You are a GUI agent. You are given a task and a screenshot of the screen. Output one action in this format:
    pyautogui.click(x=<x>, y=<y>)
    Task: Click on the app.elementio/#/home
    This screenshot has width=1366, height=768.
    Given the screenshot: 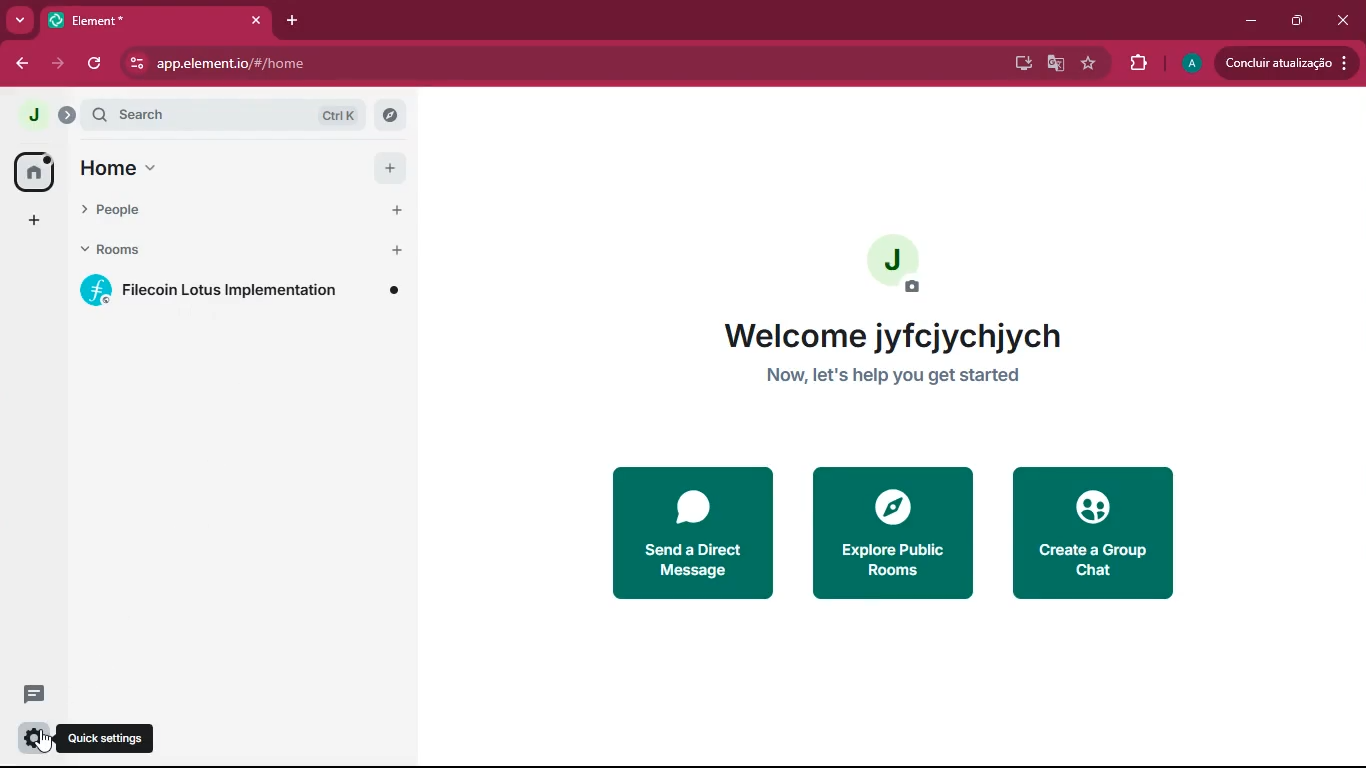 What is the action you would take?
    pyautogui.click(x=371, y=63)
    